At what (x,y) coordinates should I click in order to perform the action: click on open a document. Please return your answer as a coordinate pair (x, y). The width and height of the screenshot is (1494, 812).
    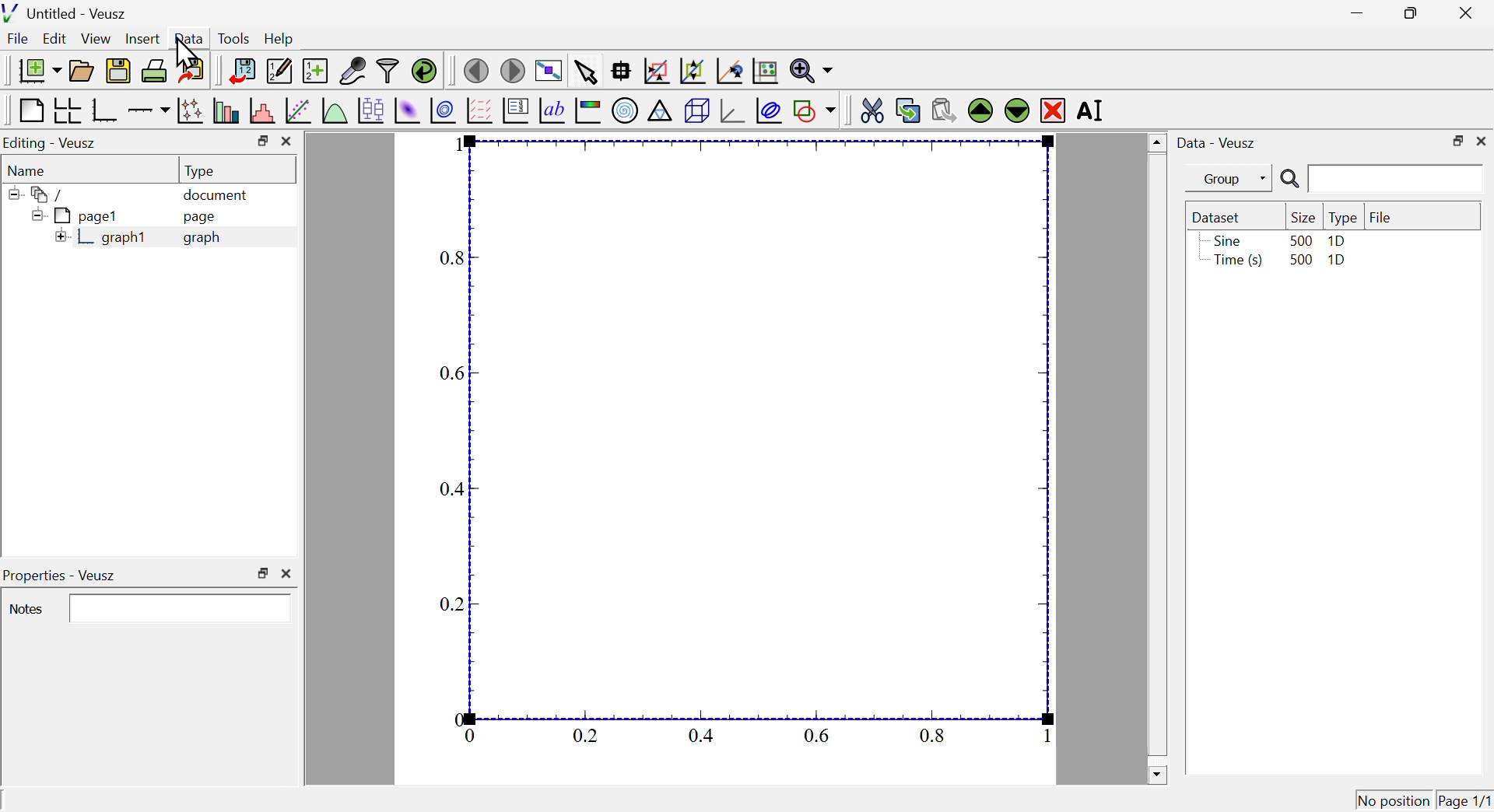
    Looking at the image, I should click on (83, 69).